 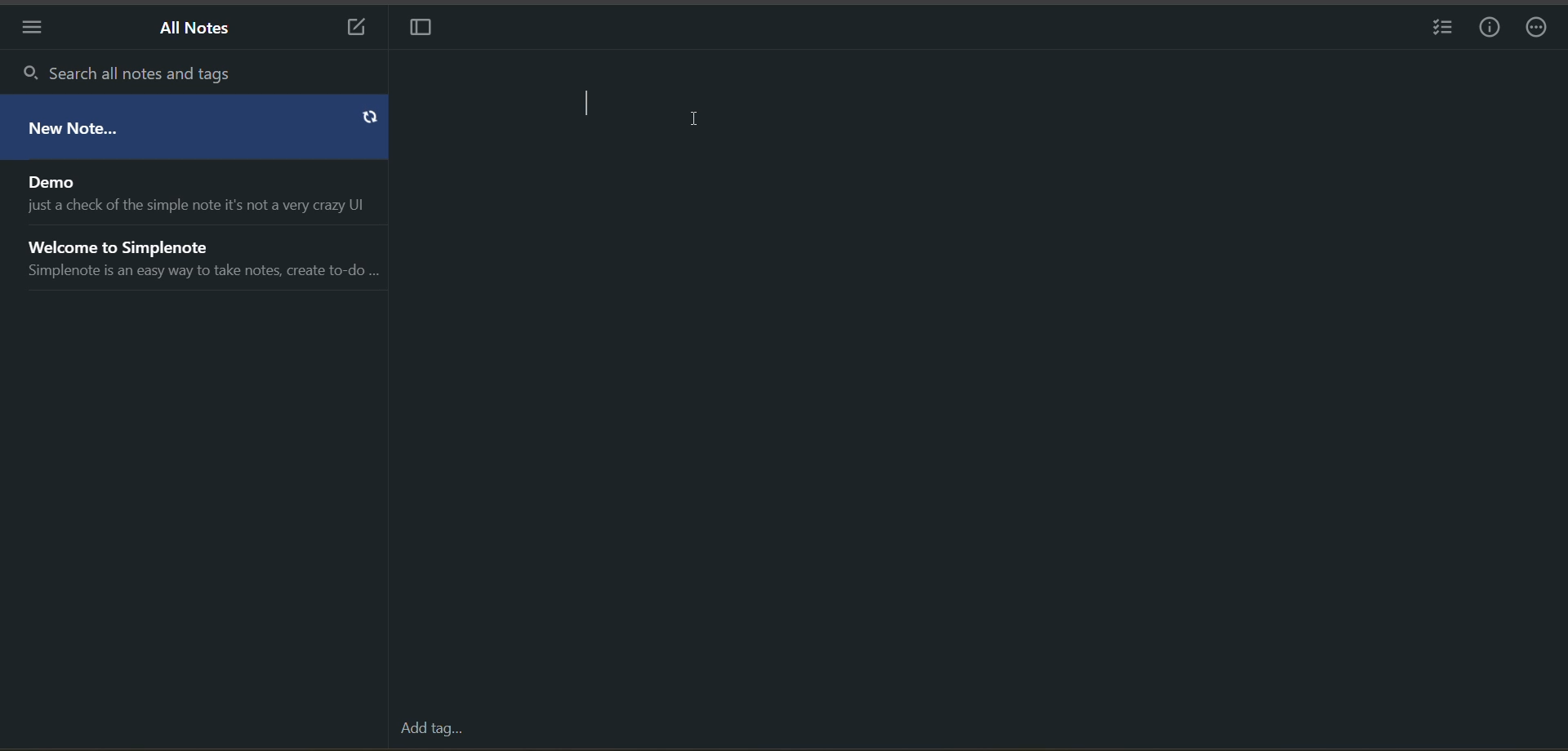 I want to click on all  notes, so click(x=196, y=231).